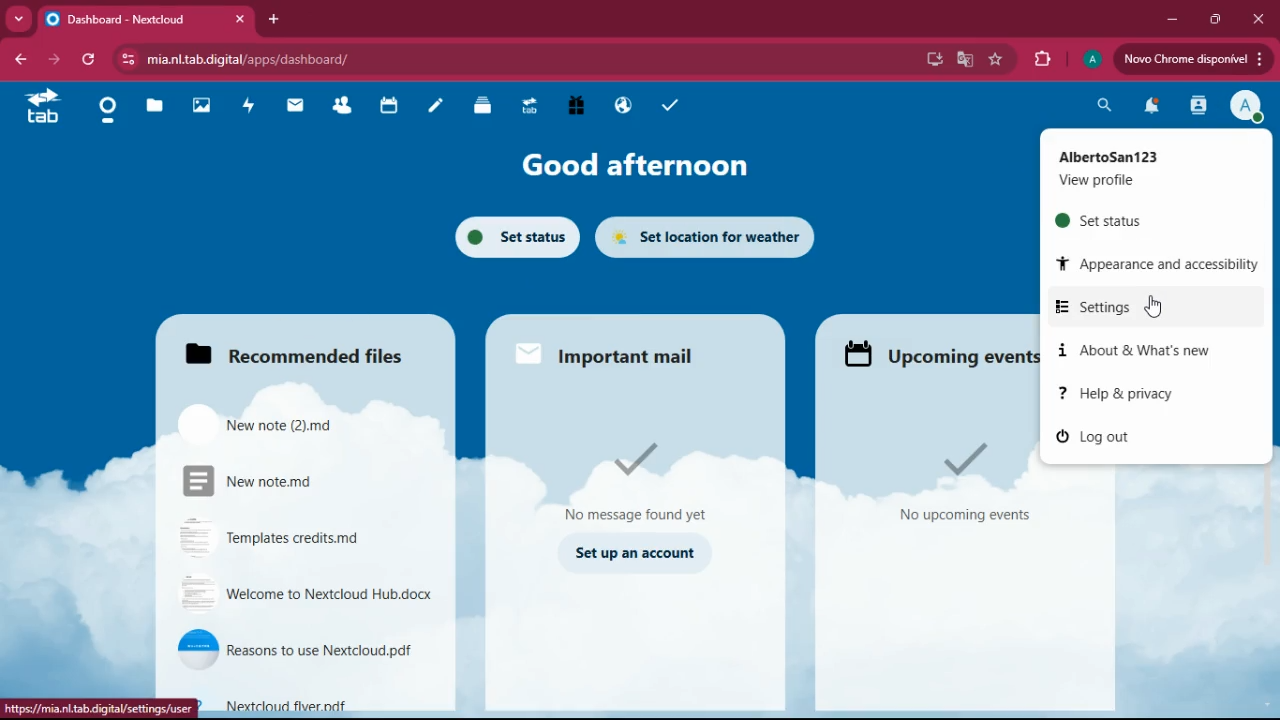 This screenshot has width=1280, height=720. Describe the element at coordinates (1096, 181) in the screenshot. I see `profile` at that location.